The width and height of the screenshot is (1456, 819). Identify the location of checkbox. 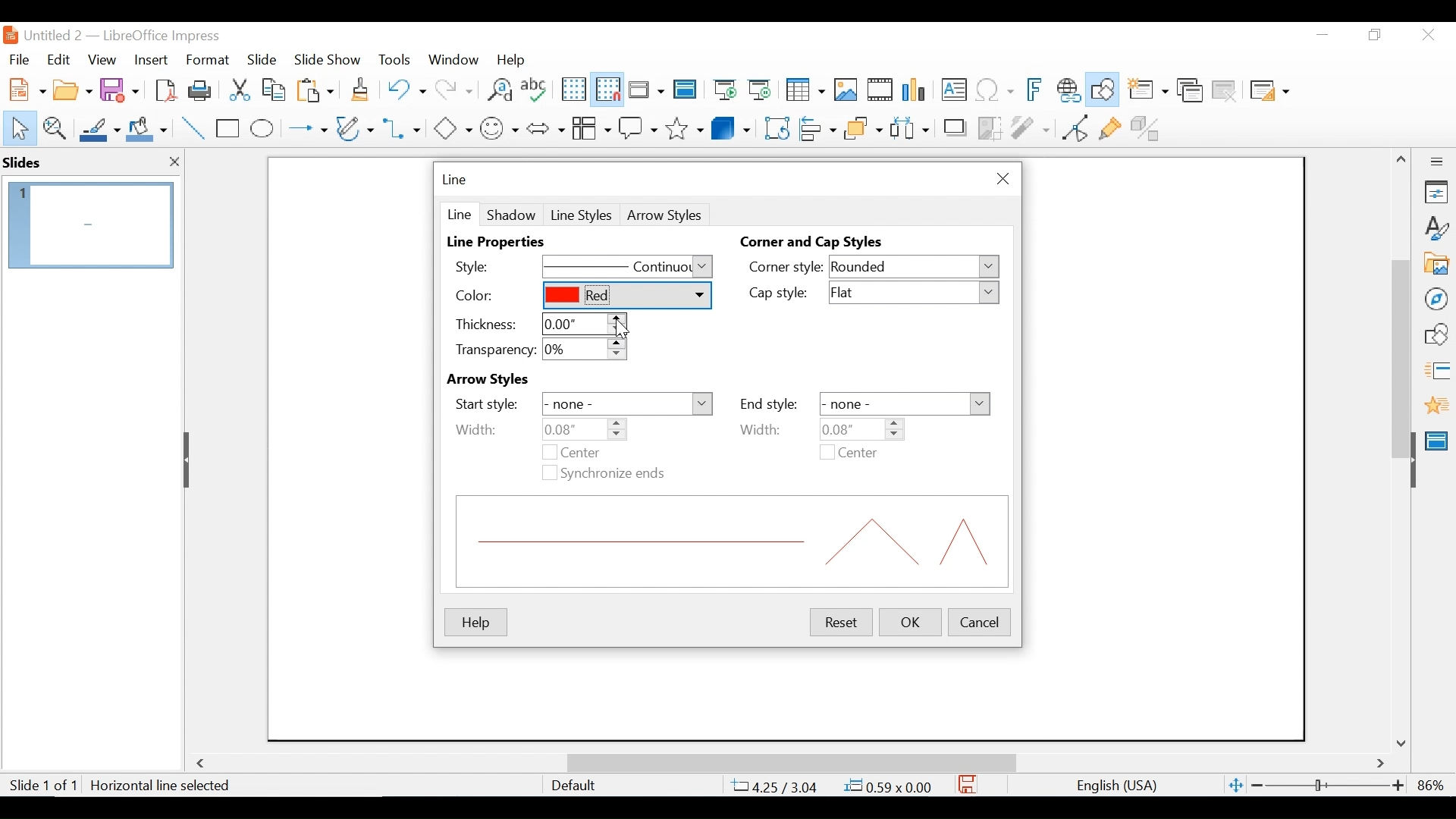
(548, 453).